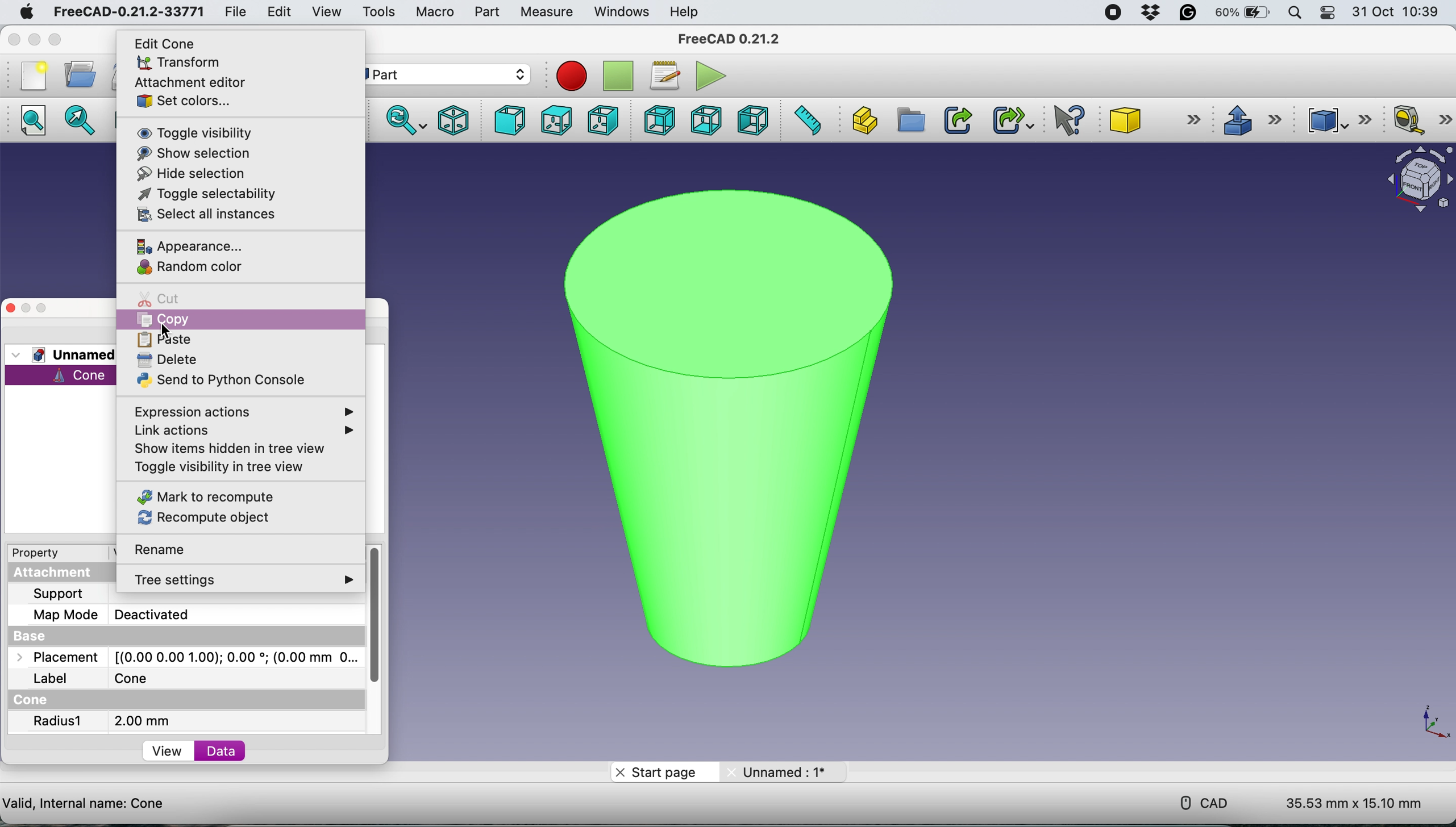 This screenshot has height=827, width=1456. What do you see at coordinates (664, 771) in the screenshot?
I see `start page` at bounding box center [664, 771].